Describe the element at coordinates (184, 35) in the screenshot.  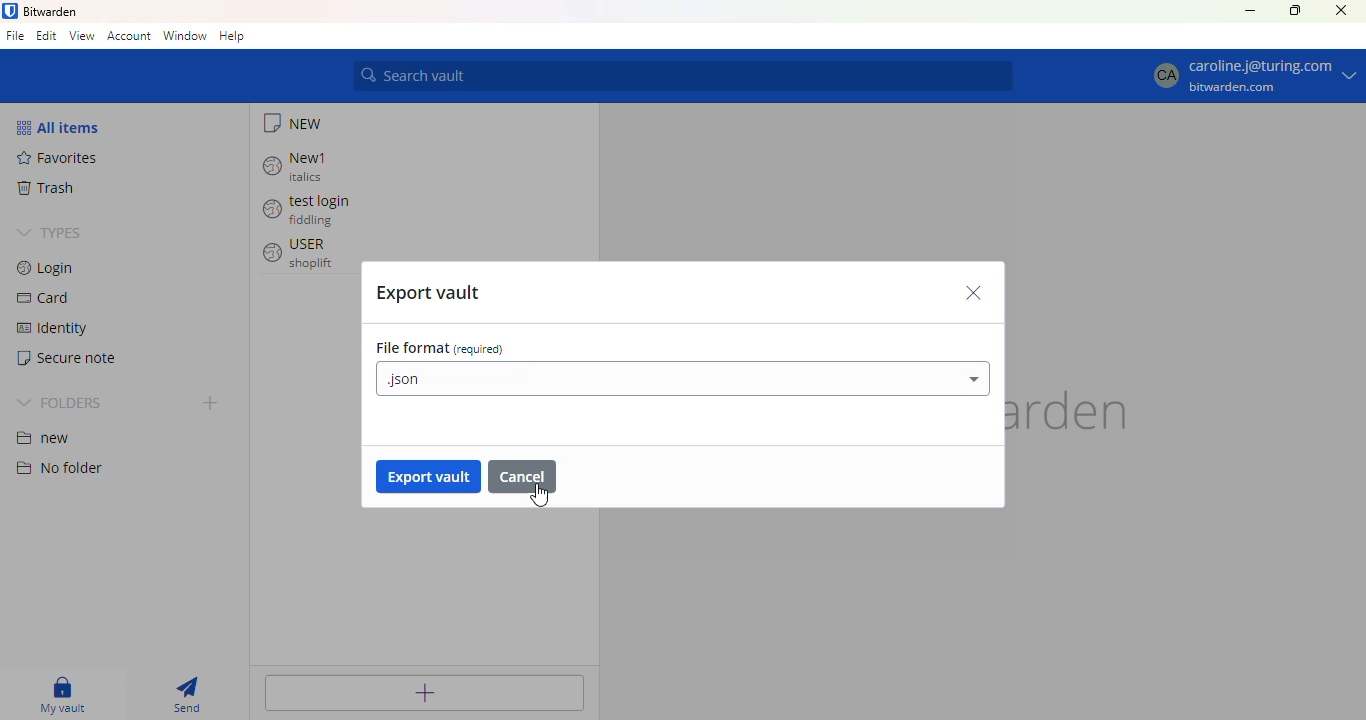
I see `window` at that location.